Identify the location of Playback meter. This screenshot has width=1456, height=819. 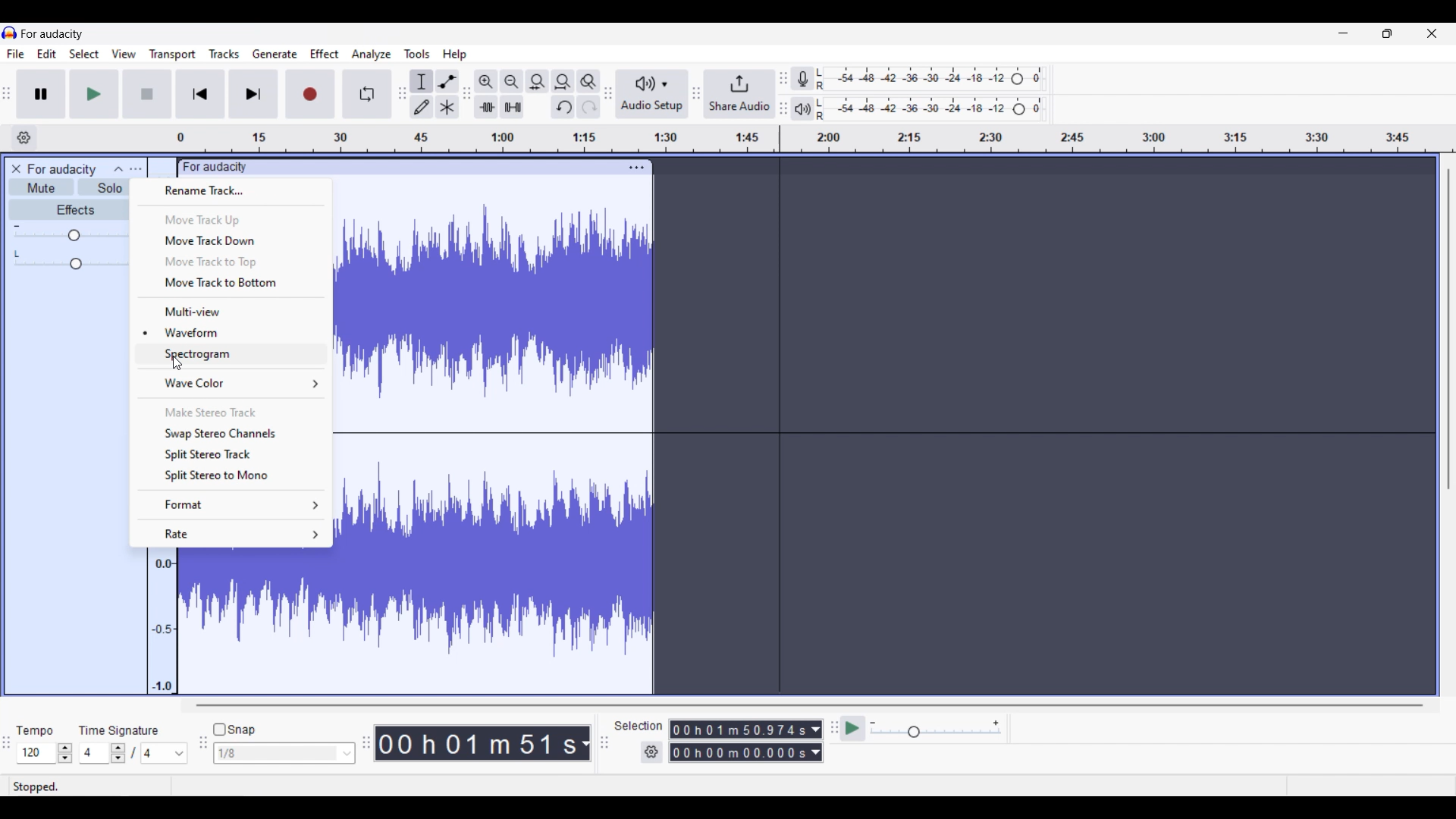
(802, 109).